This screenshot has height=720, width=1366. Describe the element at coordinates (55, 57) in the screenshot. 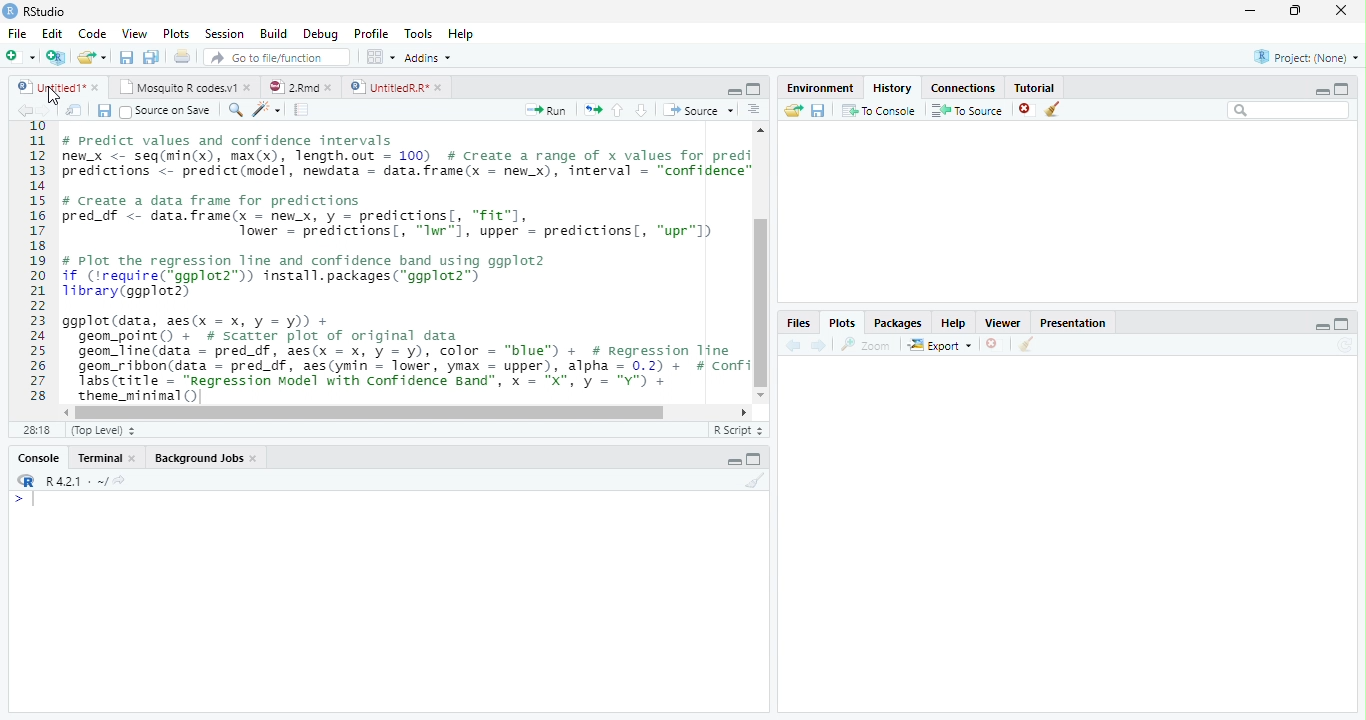

I see `Create a project` at that location.